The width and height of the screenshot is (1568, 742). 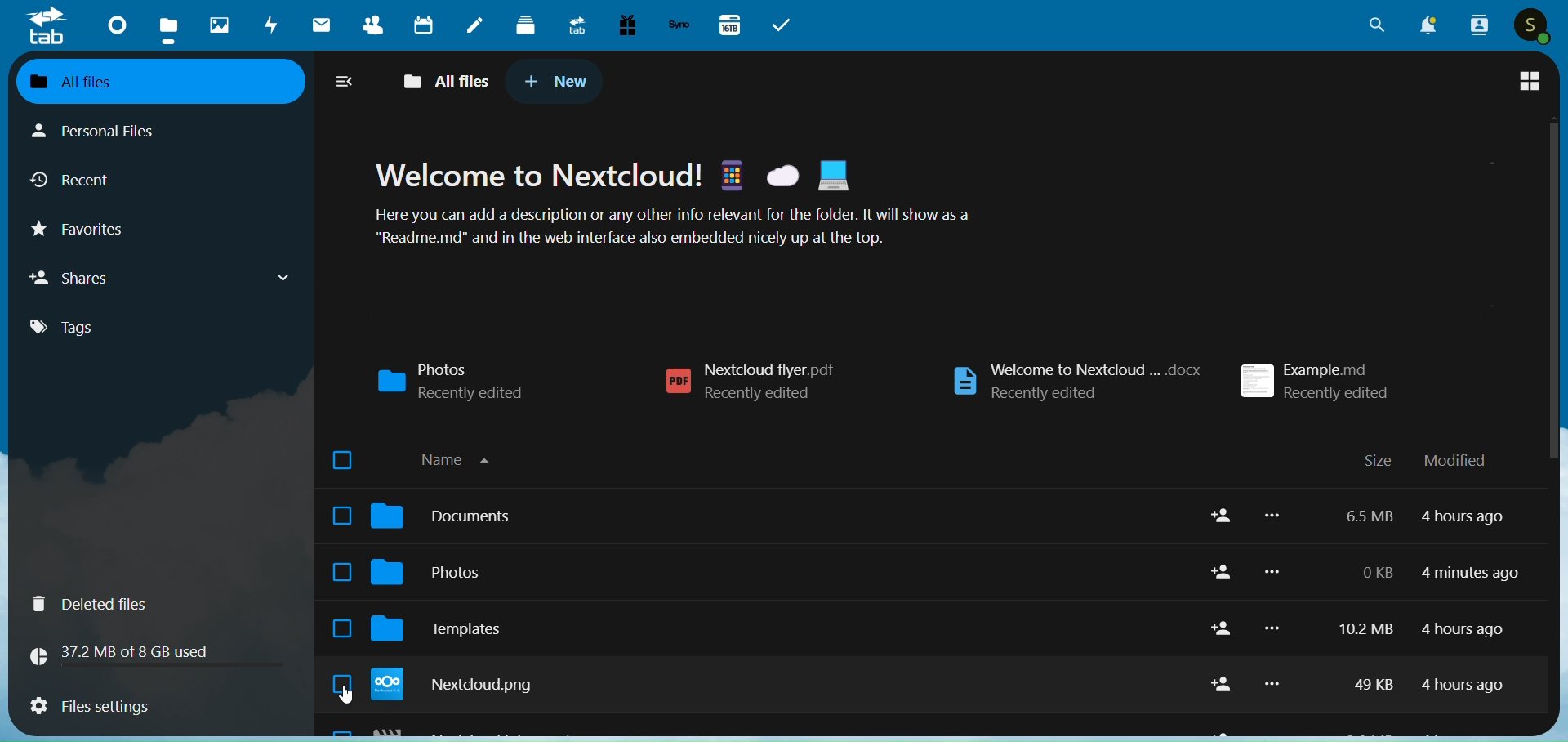 What do you see at coordinates (341, 459) in the screenshot?
I see `Select all` at bounding box center [341, 459].